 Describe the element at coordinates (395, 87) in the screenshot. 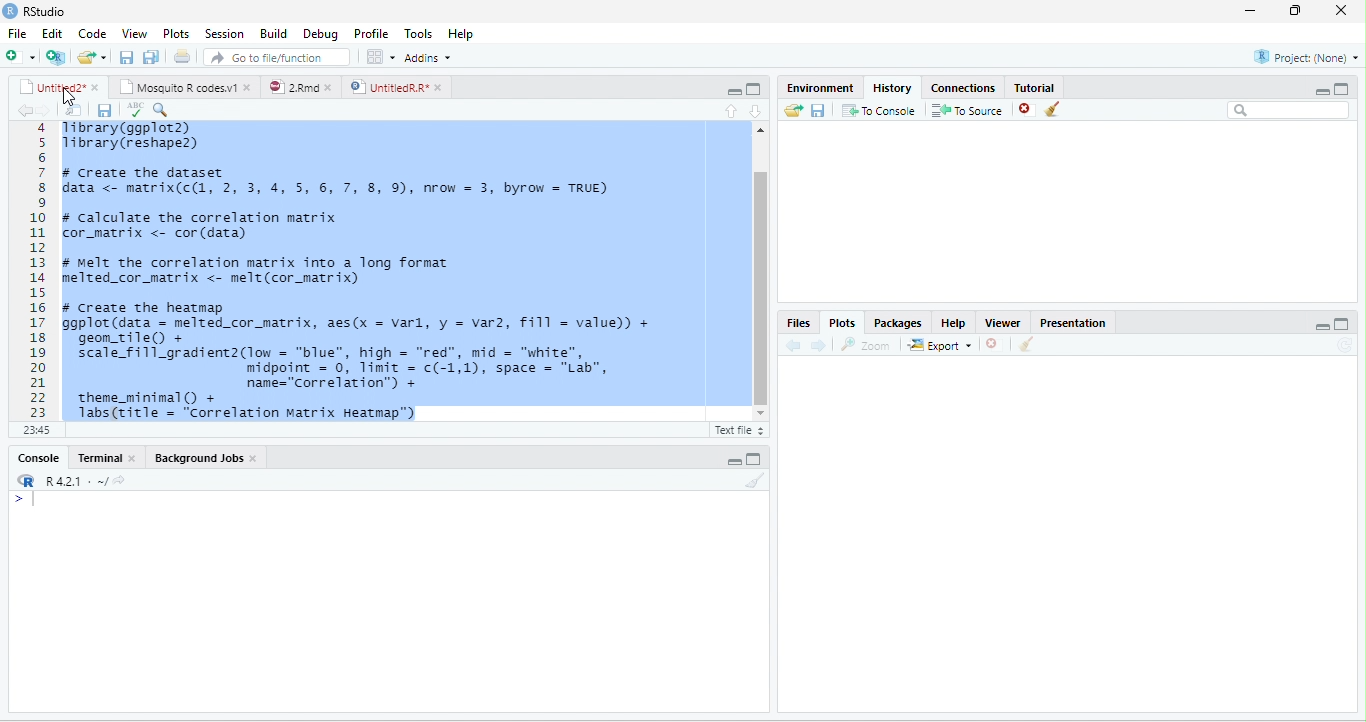

I see `untitledR` at that location.